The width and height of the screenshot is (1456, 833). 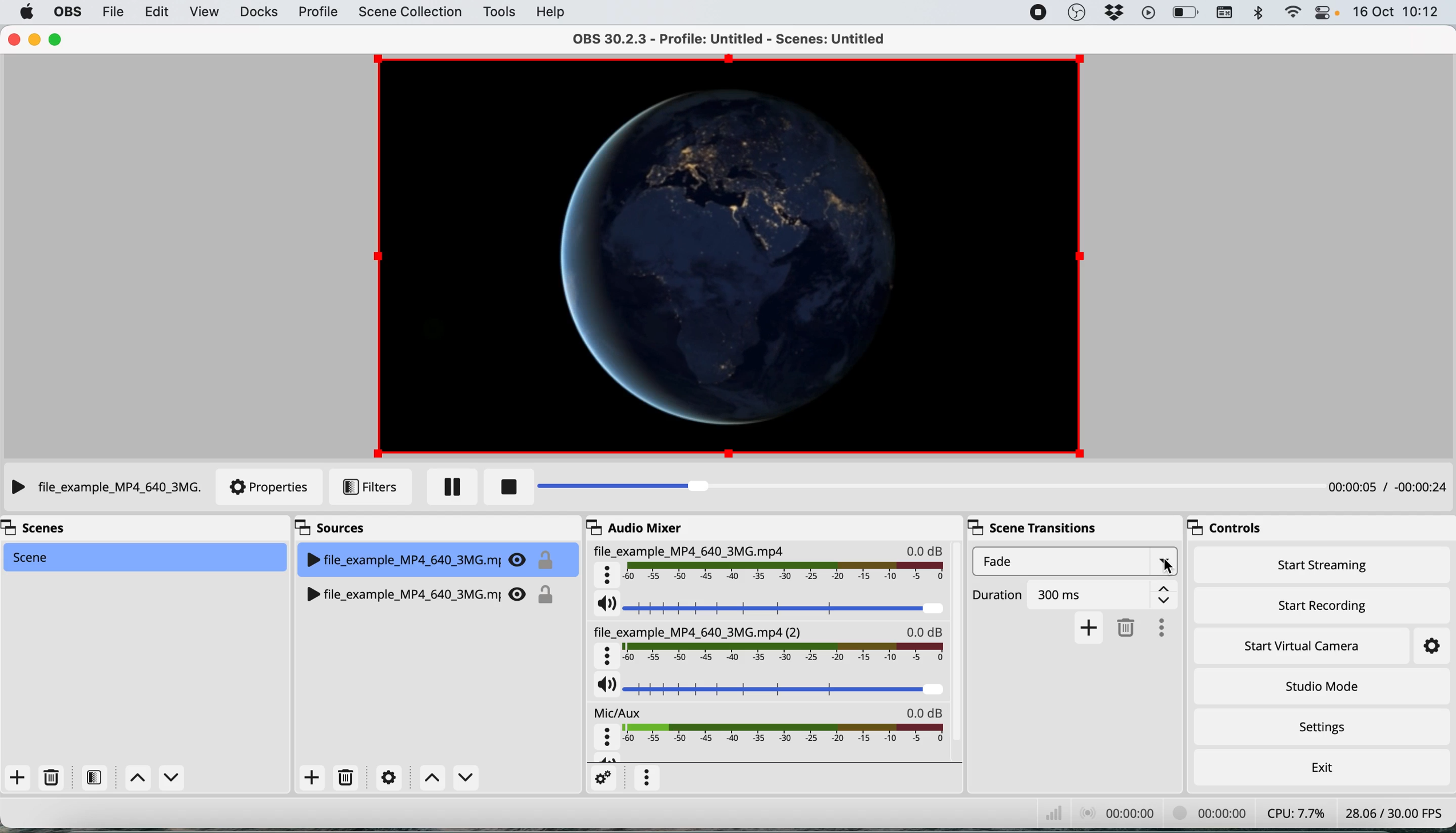 What do you see at coordinates (1151, 14) in the screenshot?
I see `playback` at bounding box center [1151, 14].